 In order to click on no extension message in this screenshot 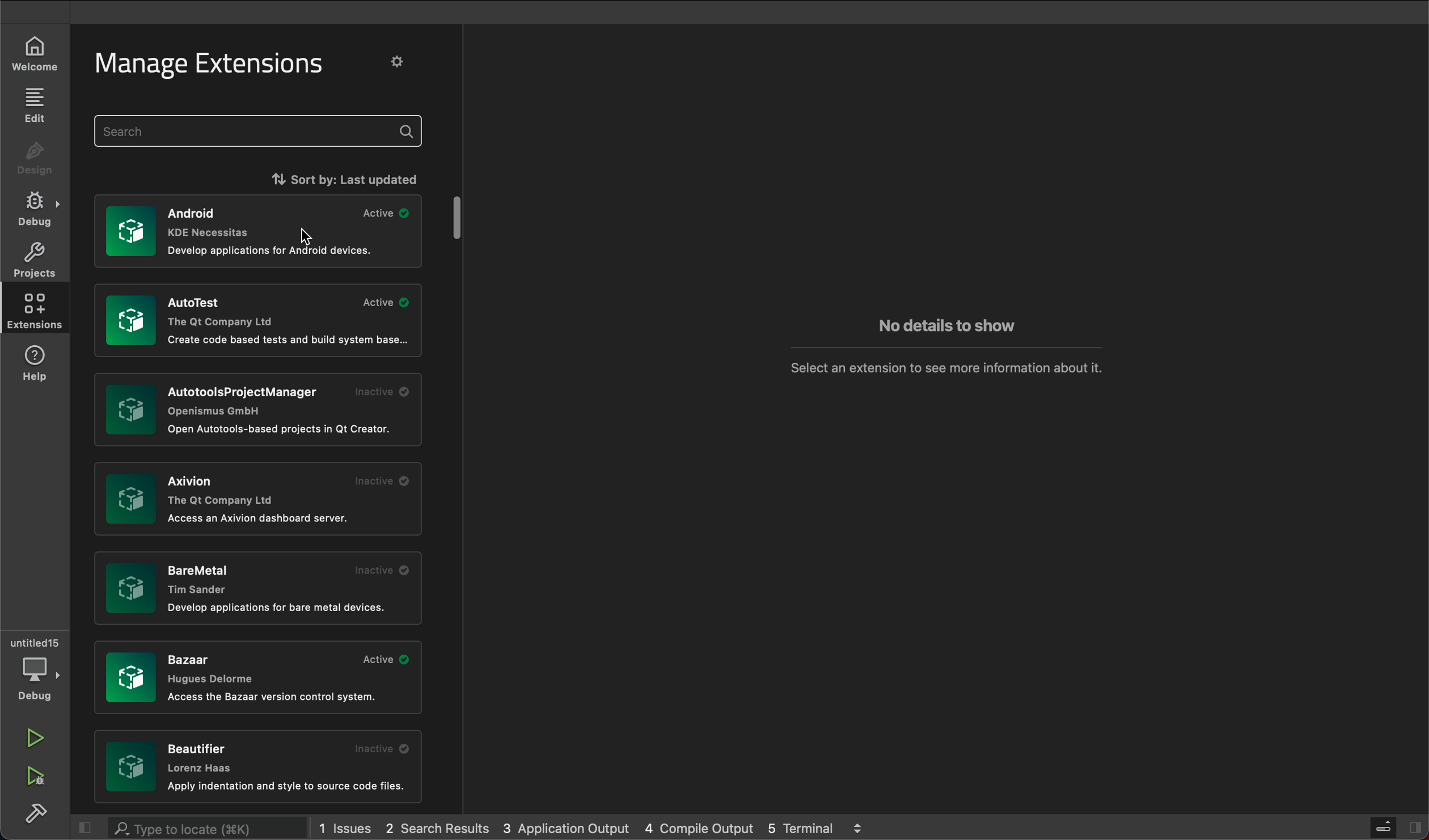, I will do `click(939, 363)`.